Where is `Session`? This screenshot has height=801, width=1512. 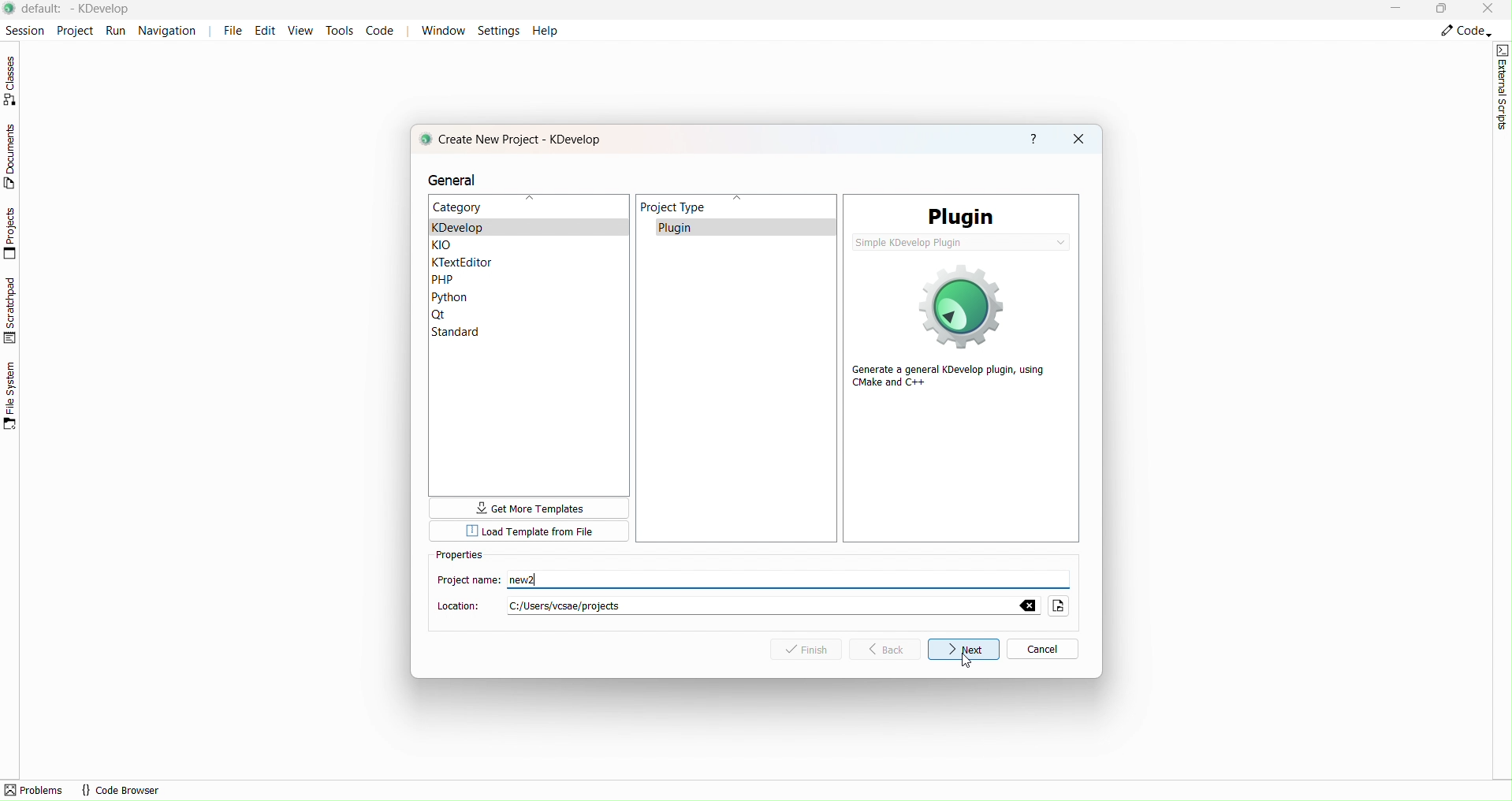
Session is located at coordinates (23, 28).